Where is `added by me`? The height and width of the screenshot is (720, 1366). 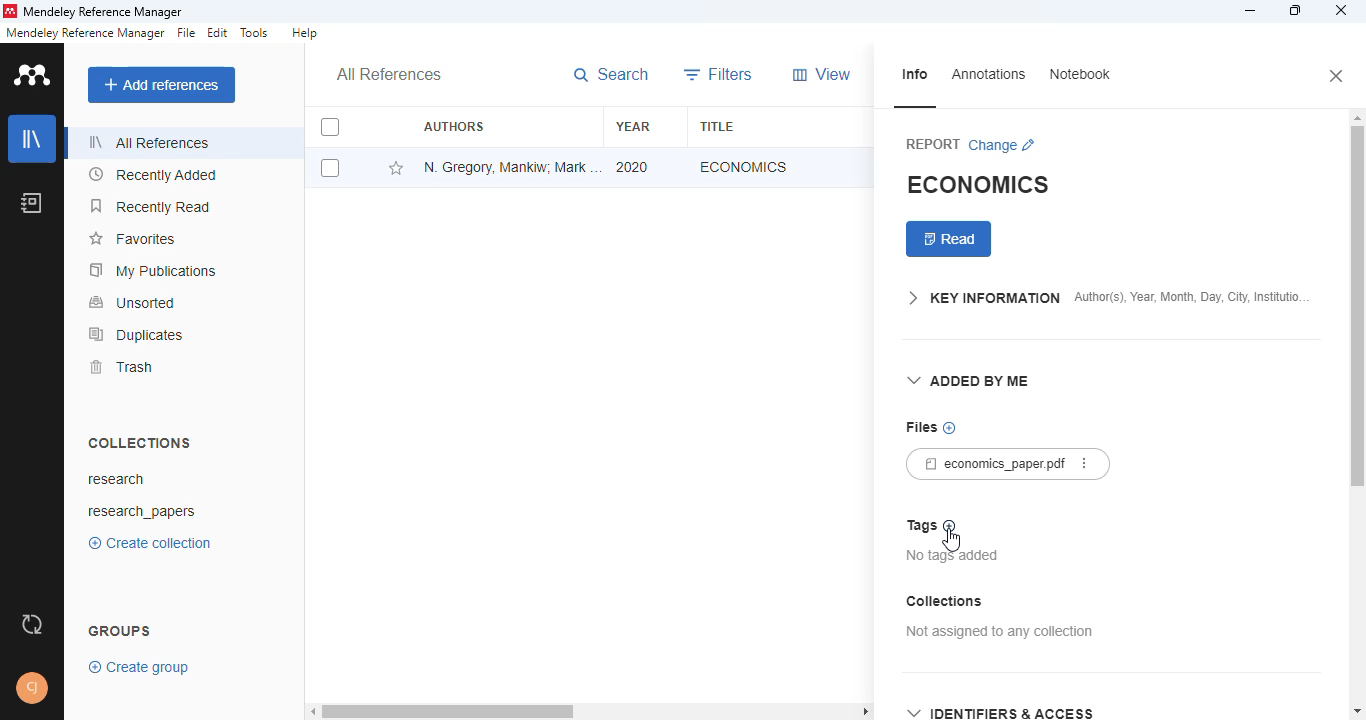
added by me is located at coordinates (969, 382).